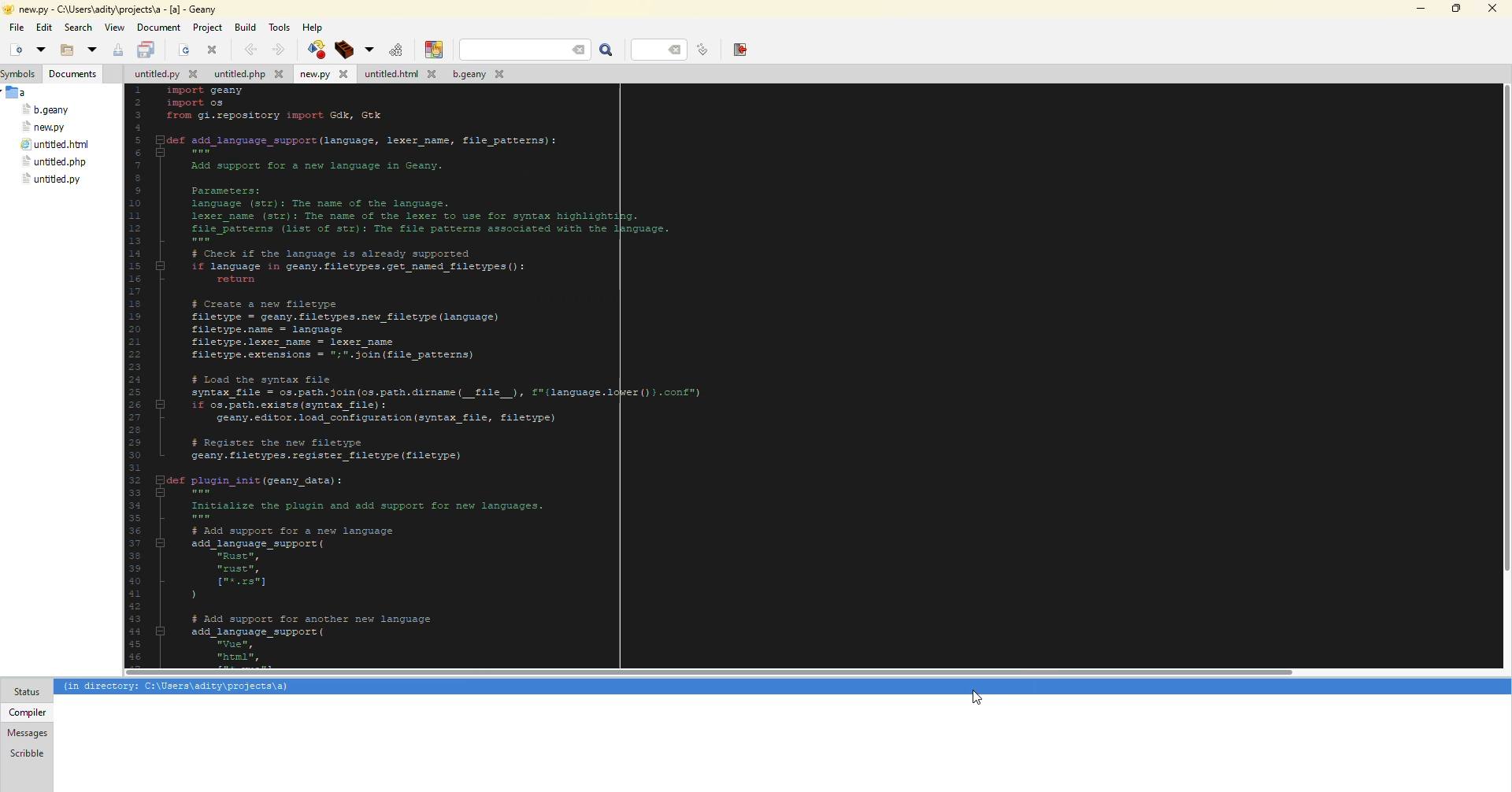 The height and width of the screenshot is (792, 1512). What do you see at coordinates (26, 712) in the screenshot?
I see `compiler` at bounding box center [26, 712].